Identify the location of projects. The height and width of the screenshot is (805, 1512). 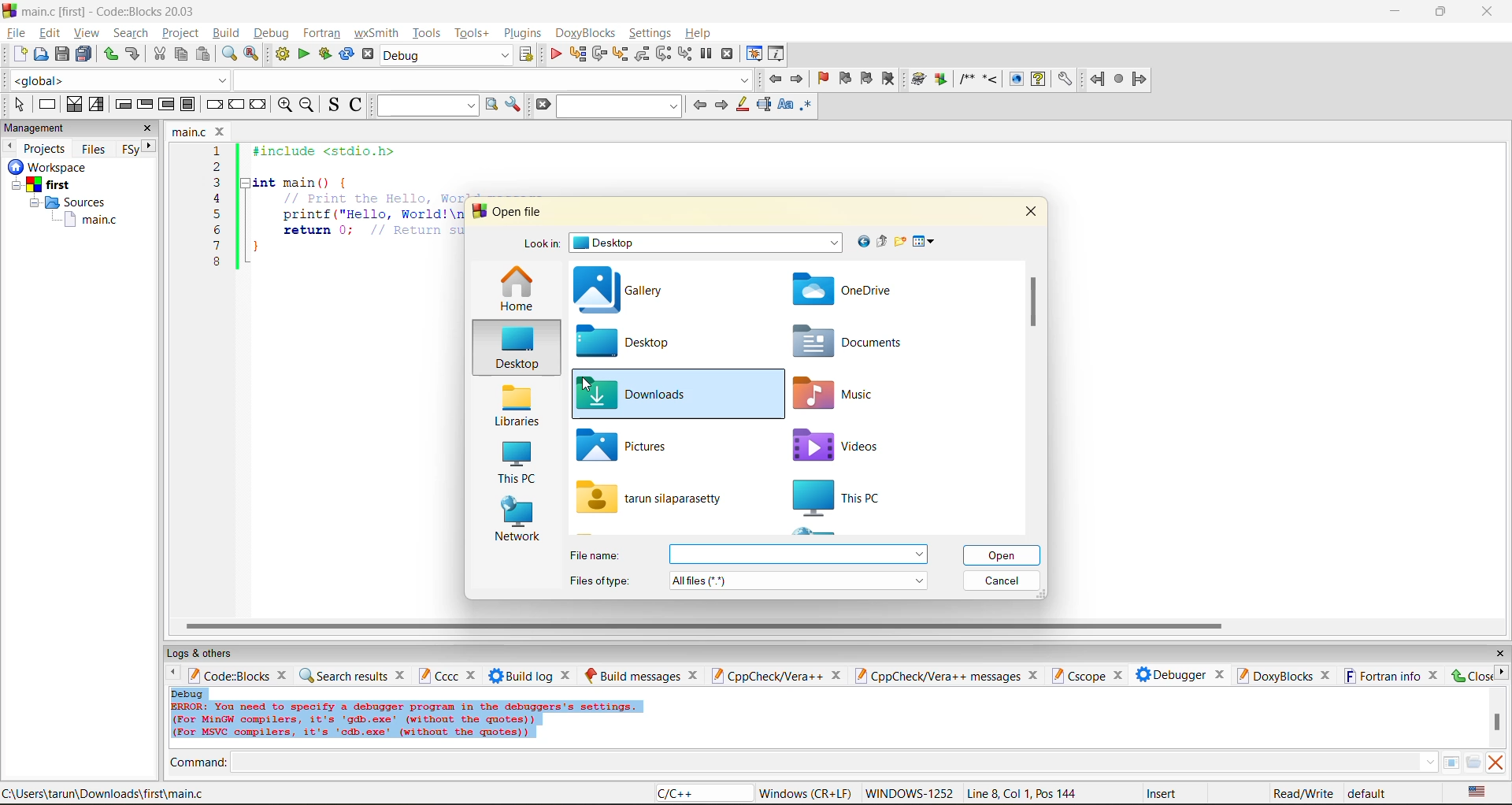
(46, 148).